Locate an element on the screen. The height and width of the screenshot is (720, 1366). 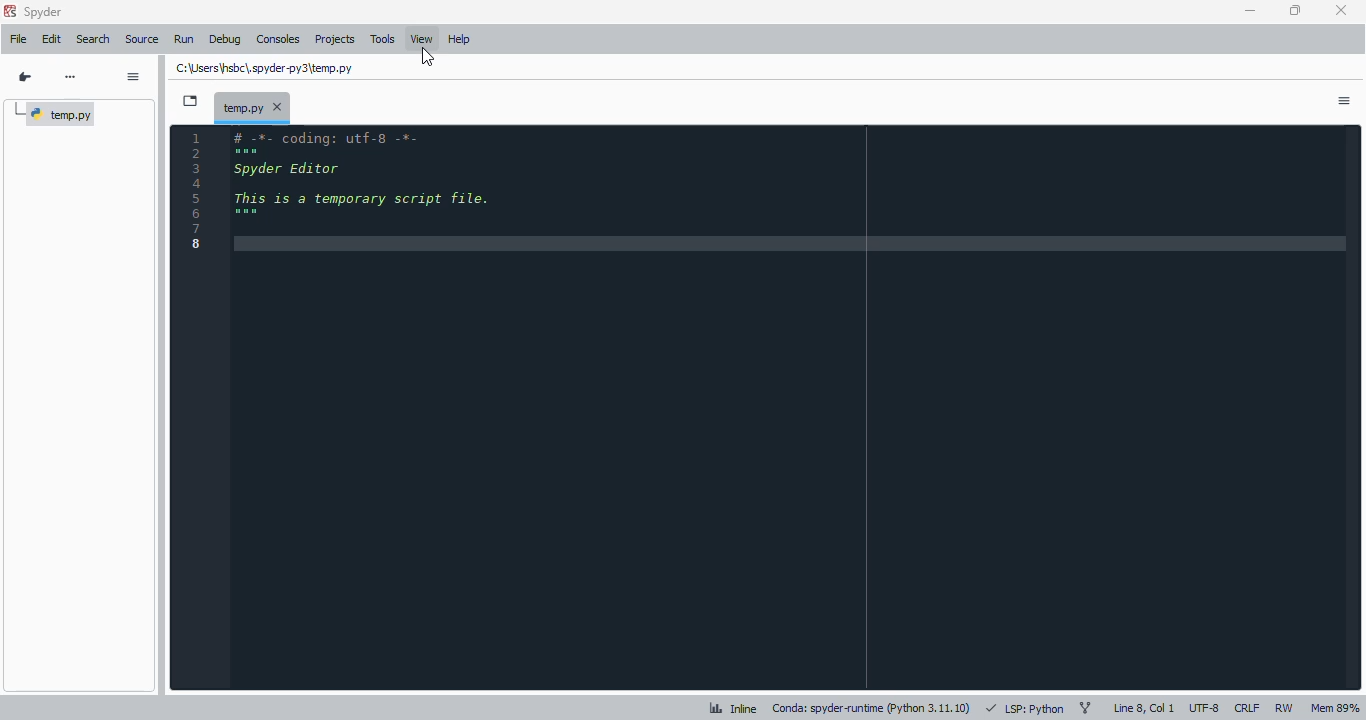
editor is located at coordinates (791, 406).